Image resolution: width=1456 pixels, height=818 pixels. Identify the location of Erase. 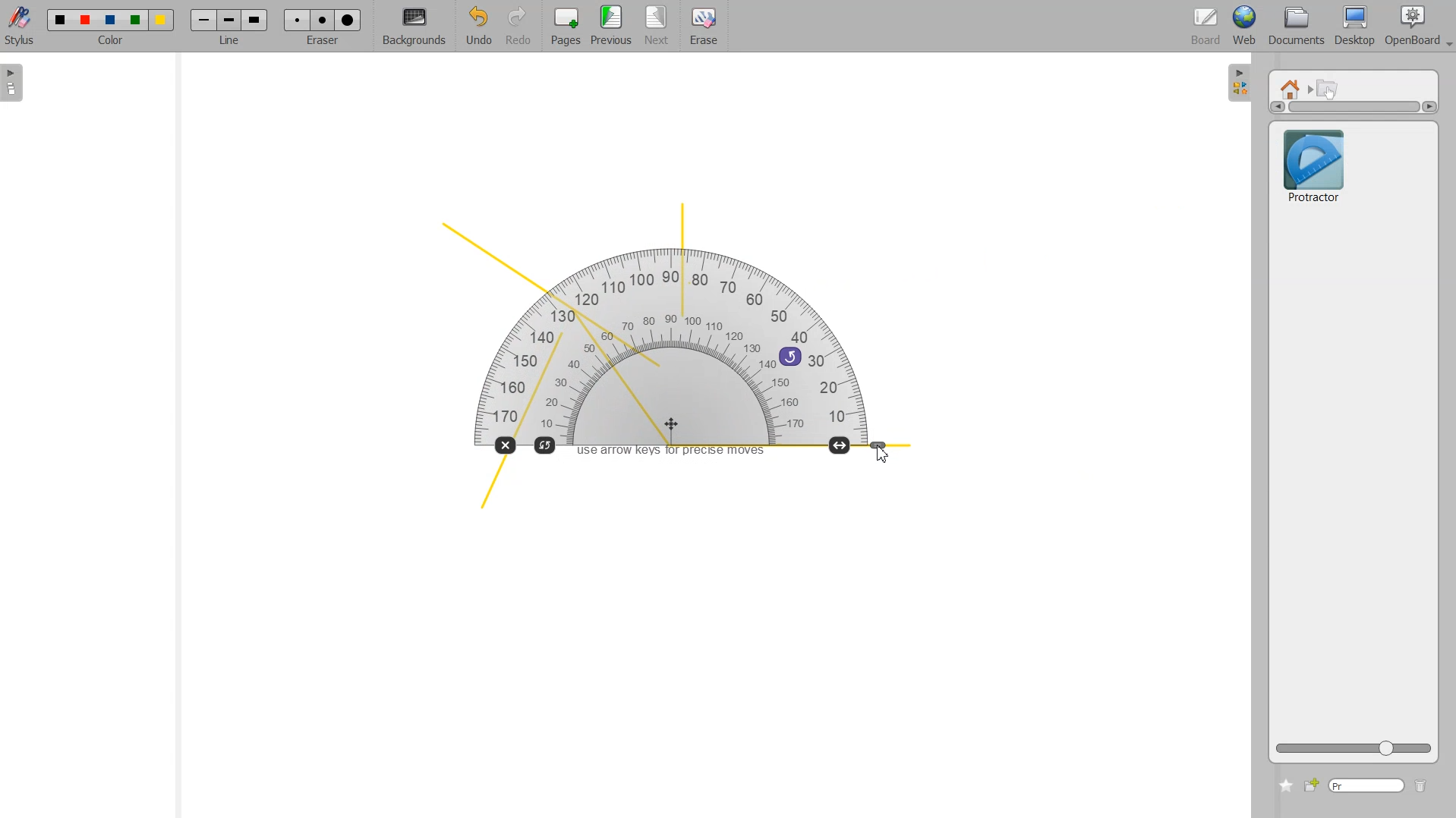
(703, 27).